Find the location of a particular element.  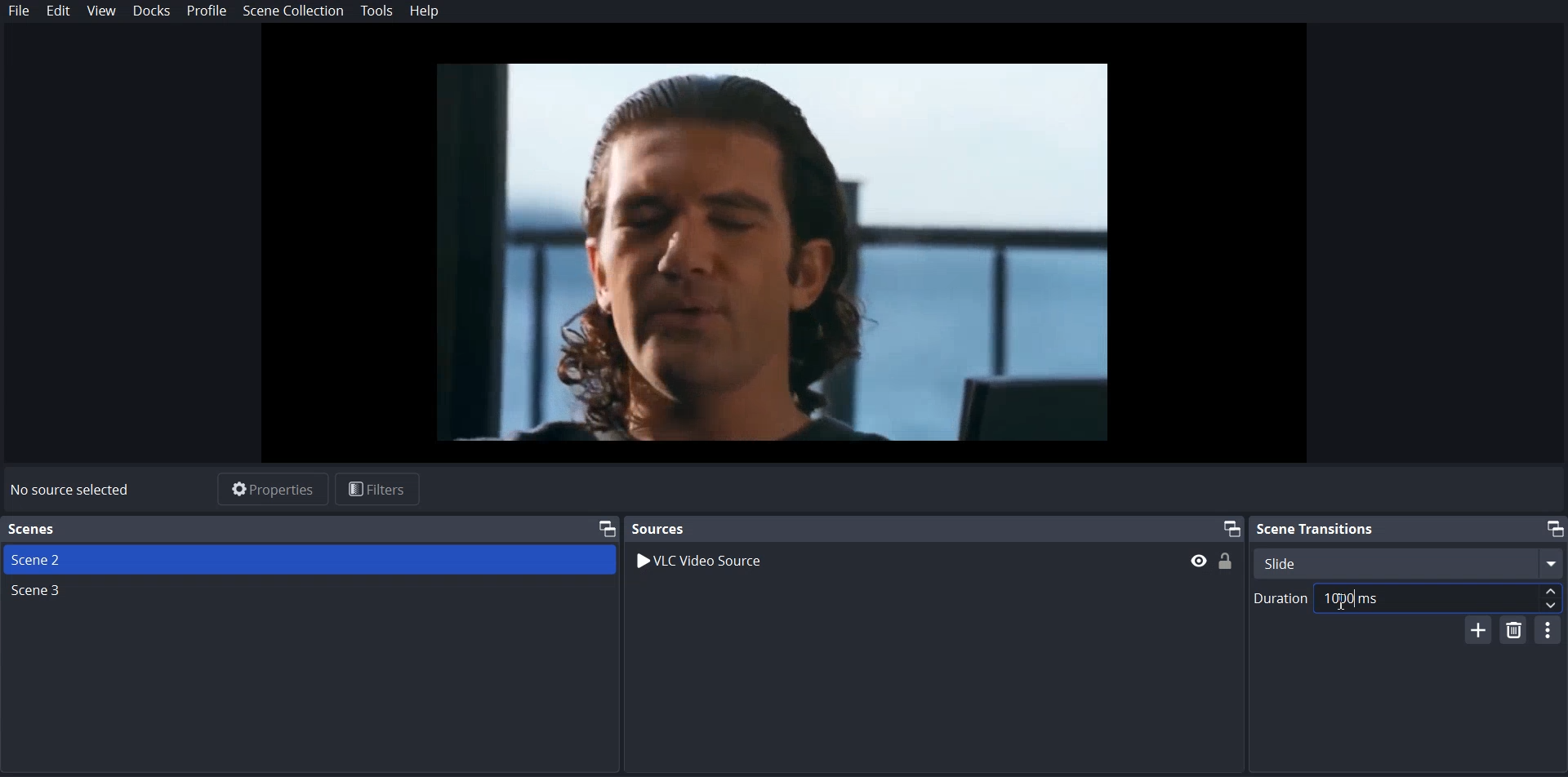

Scene is located at coordinates (309, 559).